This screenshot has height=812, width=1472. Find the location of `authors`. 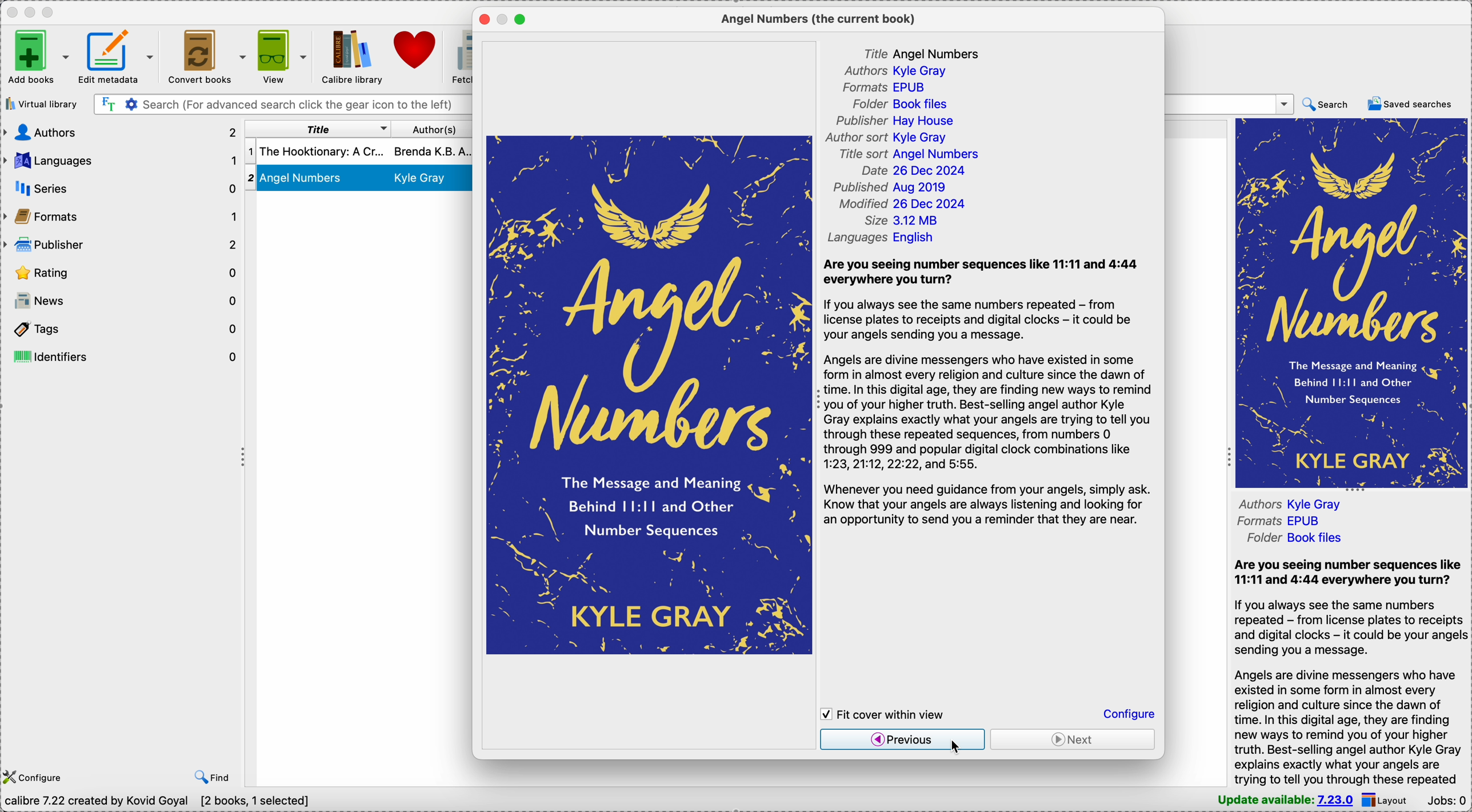

authors is located at coordinates (893, 73).